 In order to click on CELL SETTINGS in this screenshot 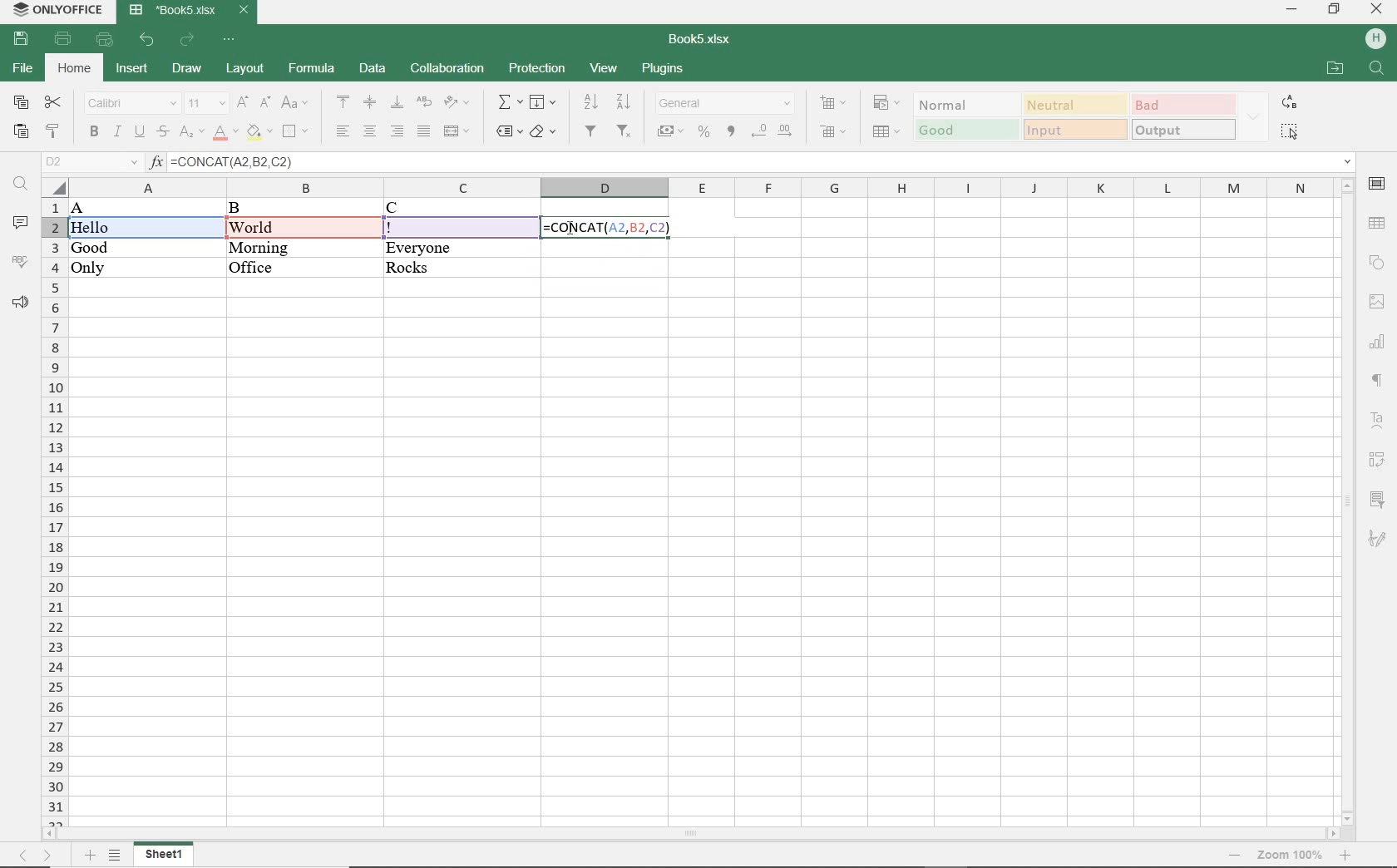, I will do `click(1376, 184)`.